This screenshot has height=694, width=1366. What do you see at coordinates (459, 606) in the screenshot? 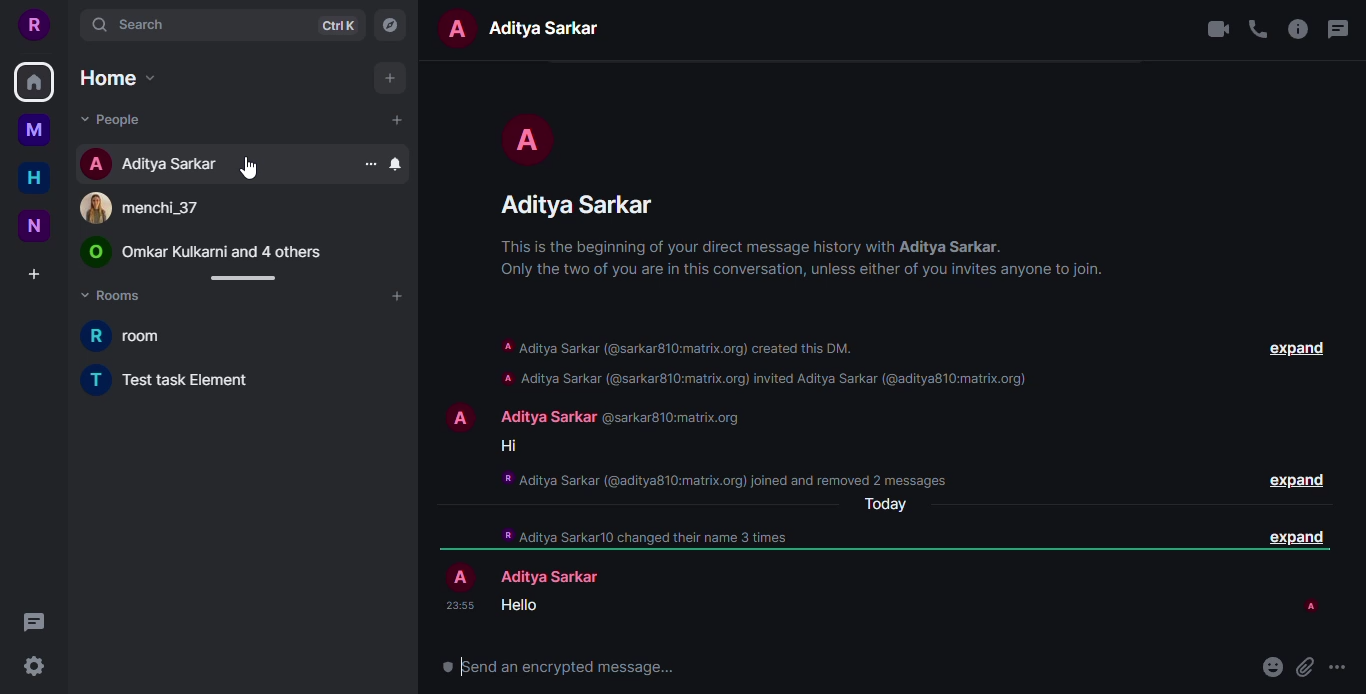
I see `23:55` at bounding box center [459, 606].